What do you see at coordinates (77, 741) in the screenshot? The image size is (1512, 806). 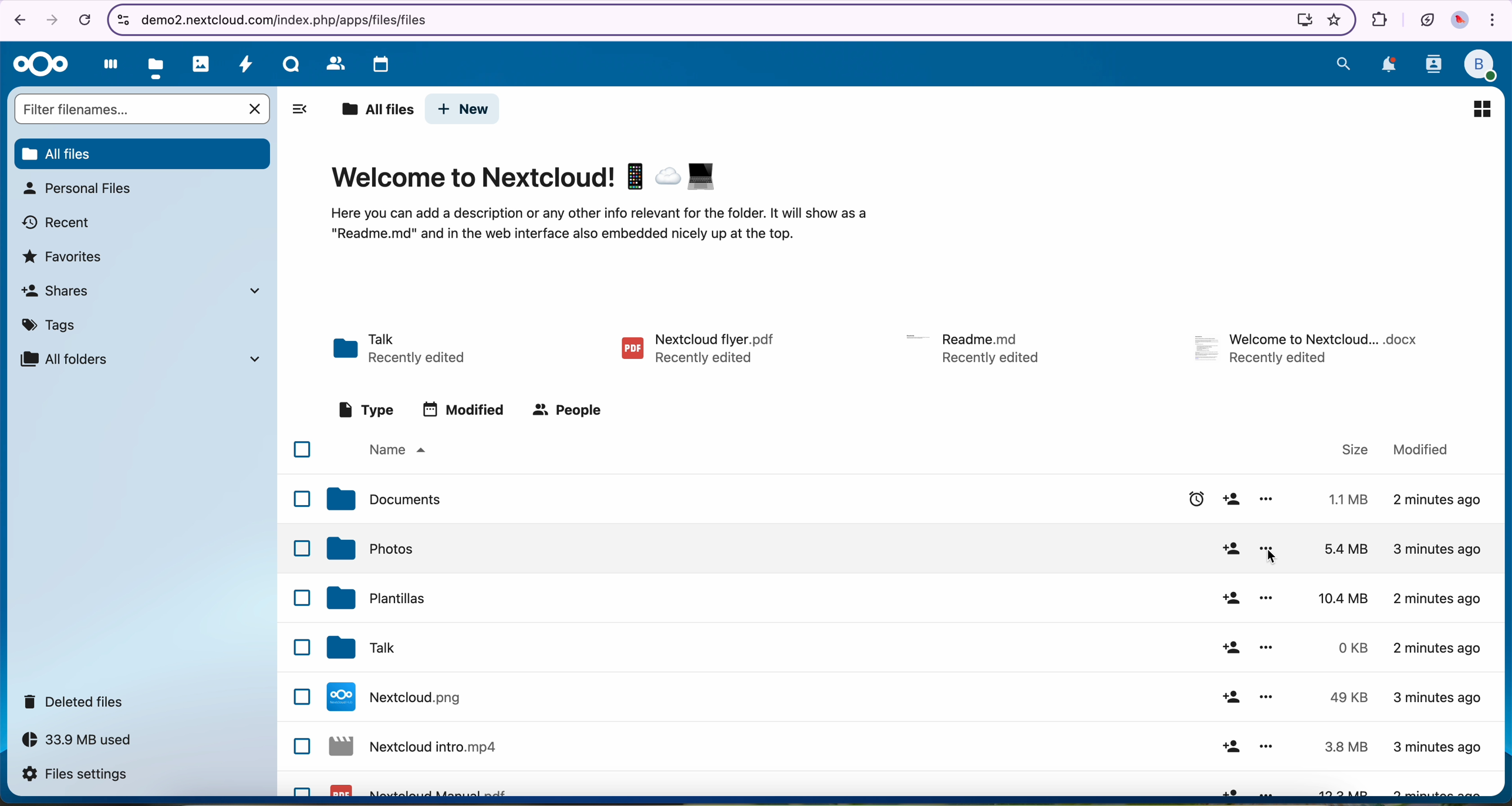 I see `33.9 MB used` at bounding box center [77, 741].